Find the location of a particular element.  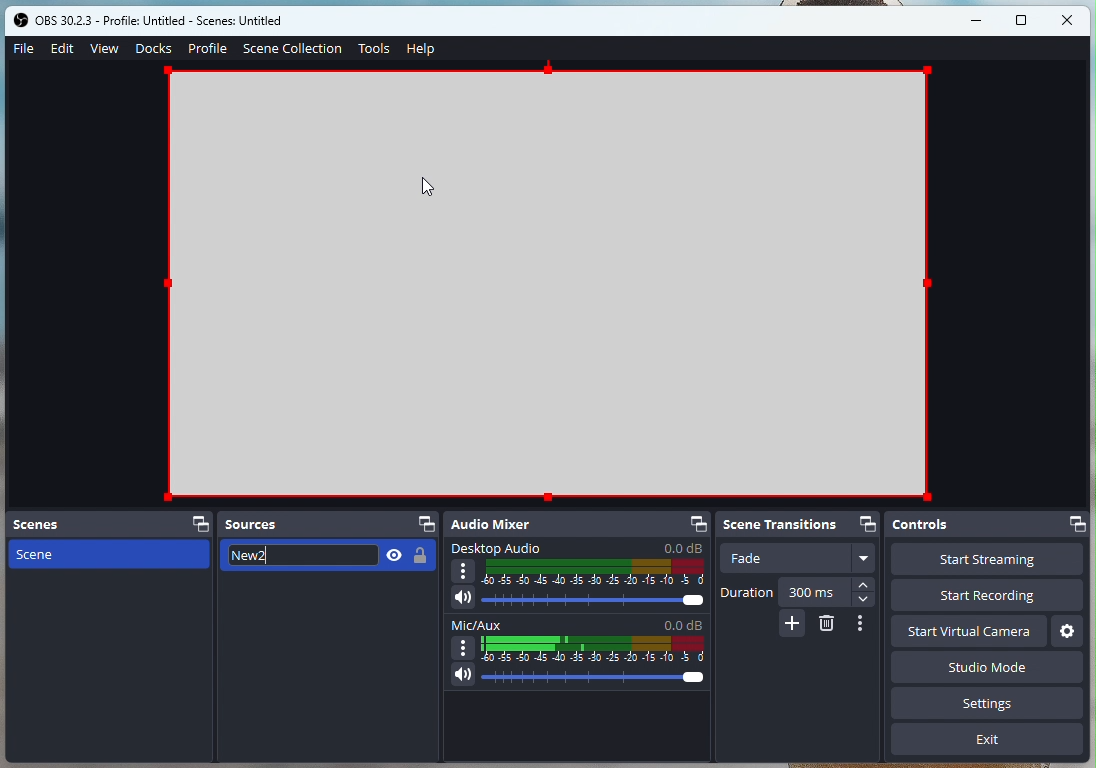

Scenes is located at coordinates (109, 524).